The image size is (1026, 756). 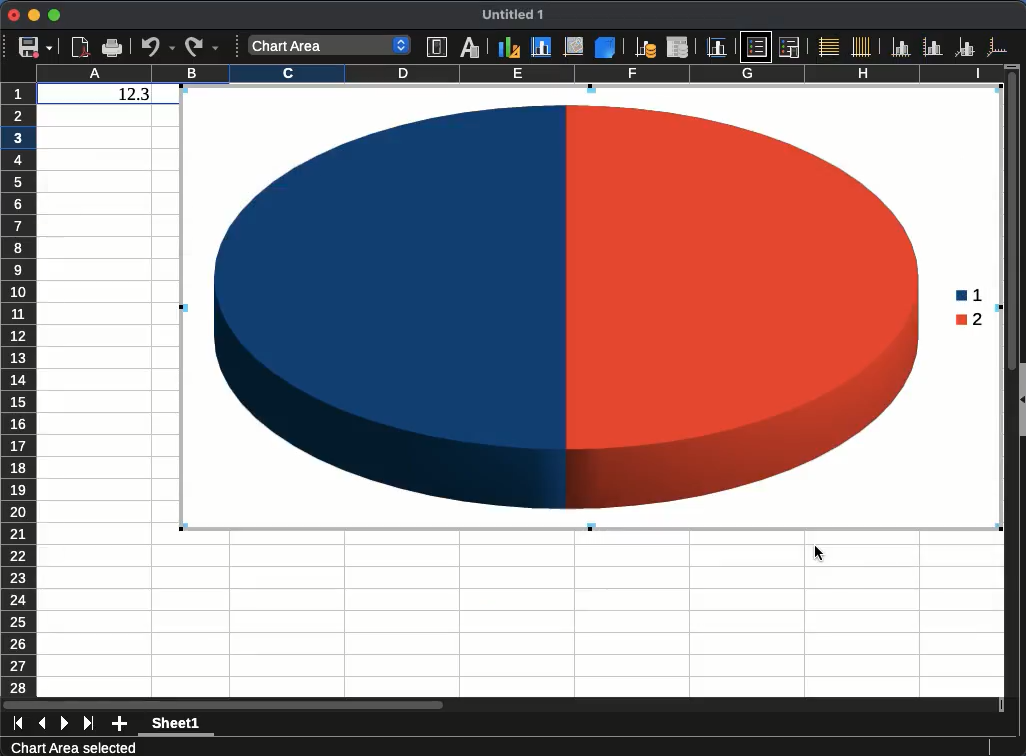 I want to click on Z axes, so click(x=965, y=47).